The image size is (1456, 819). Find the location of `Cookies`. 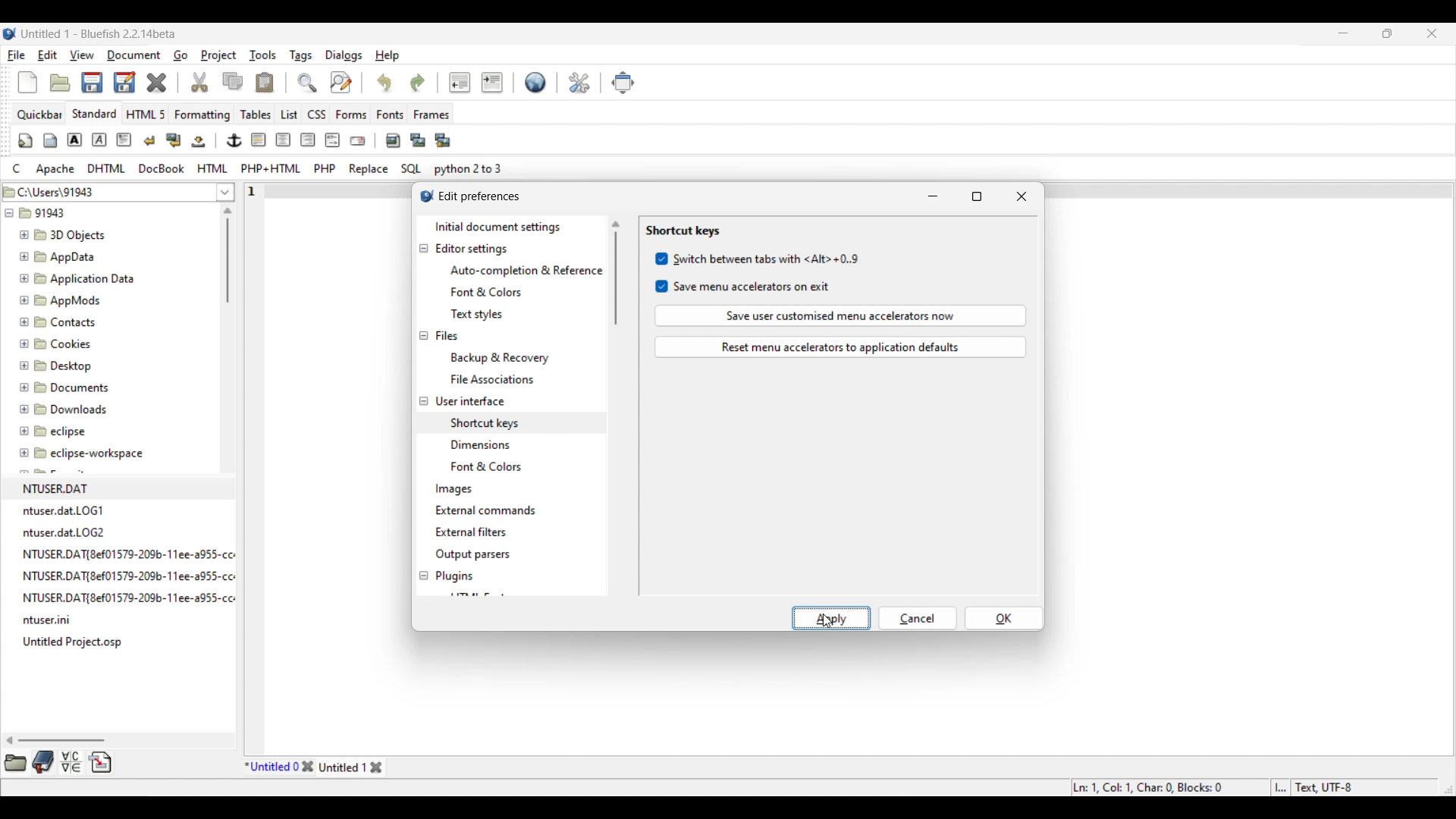

Cookies is located at coordinates (57, 343).